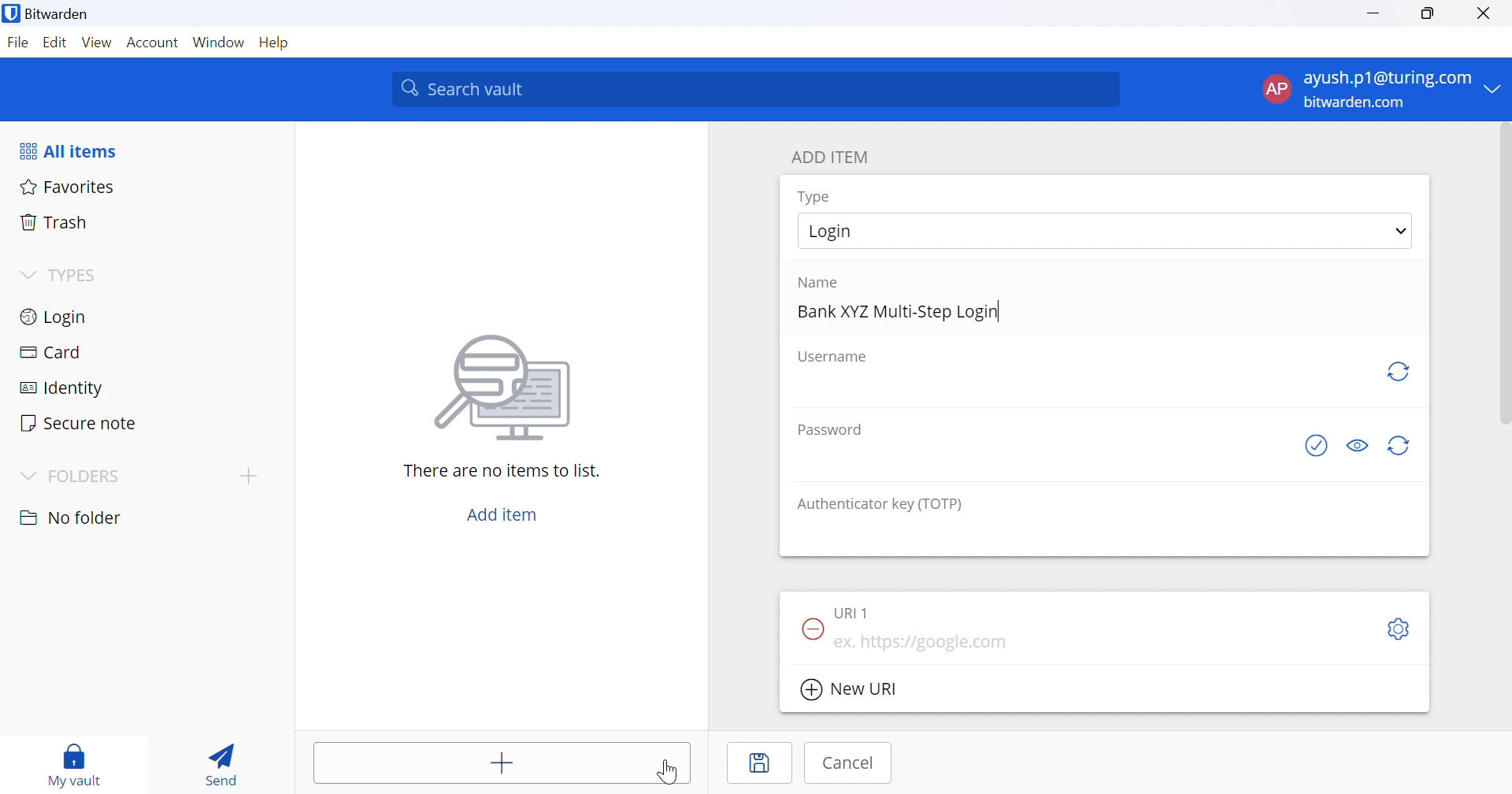 The image size is (1512, 794). I want to click on TYPES, so click(77, 276).